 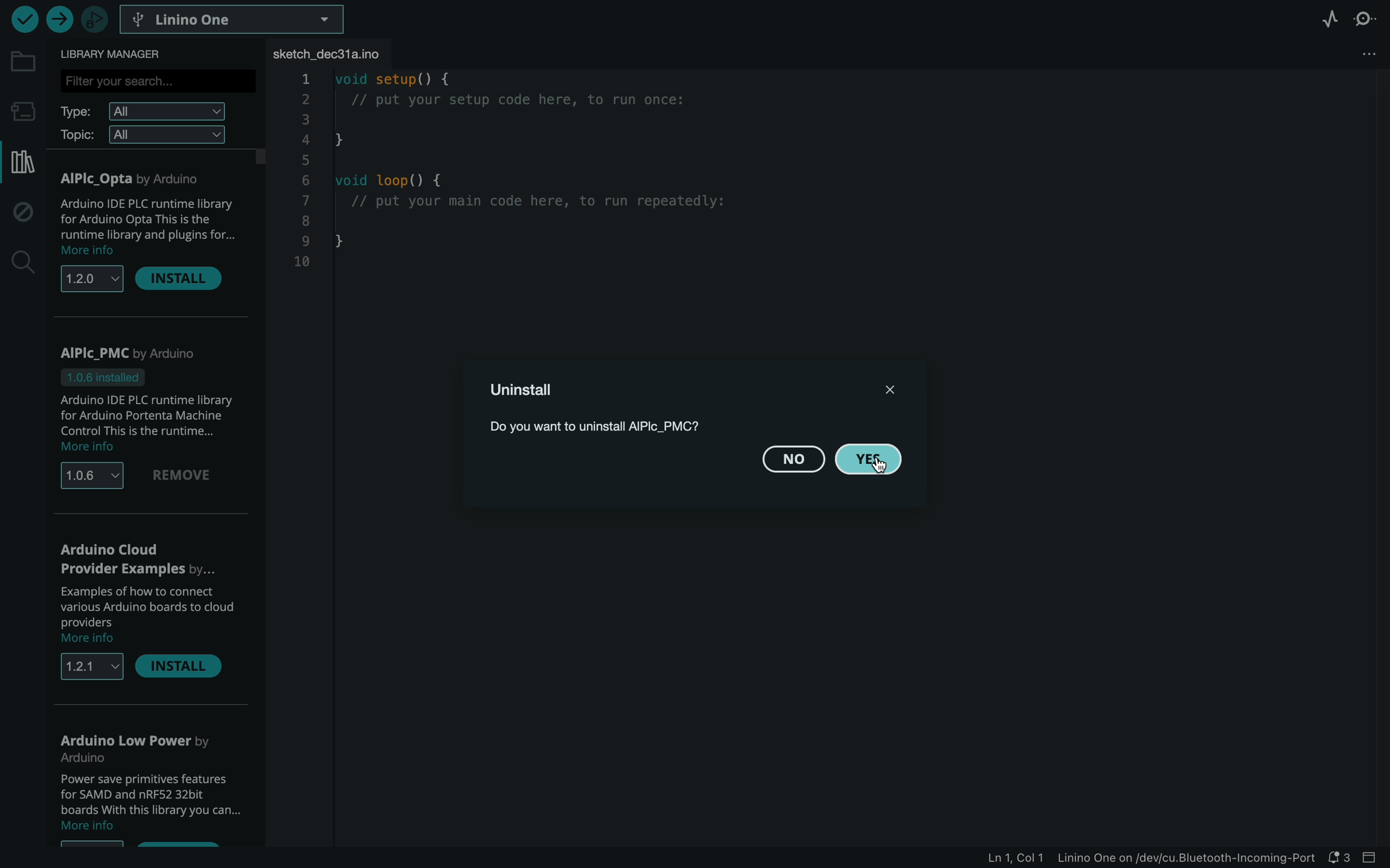 What do you see at coordinates (1339, 858) in the screenshot?
I see `notification` at bounding box center [1339, 858].